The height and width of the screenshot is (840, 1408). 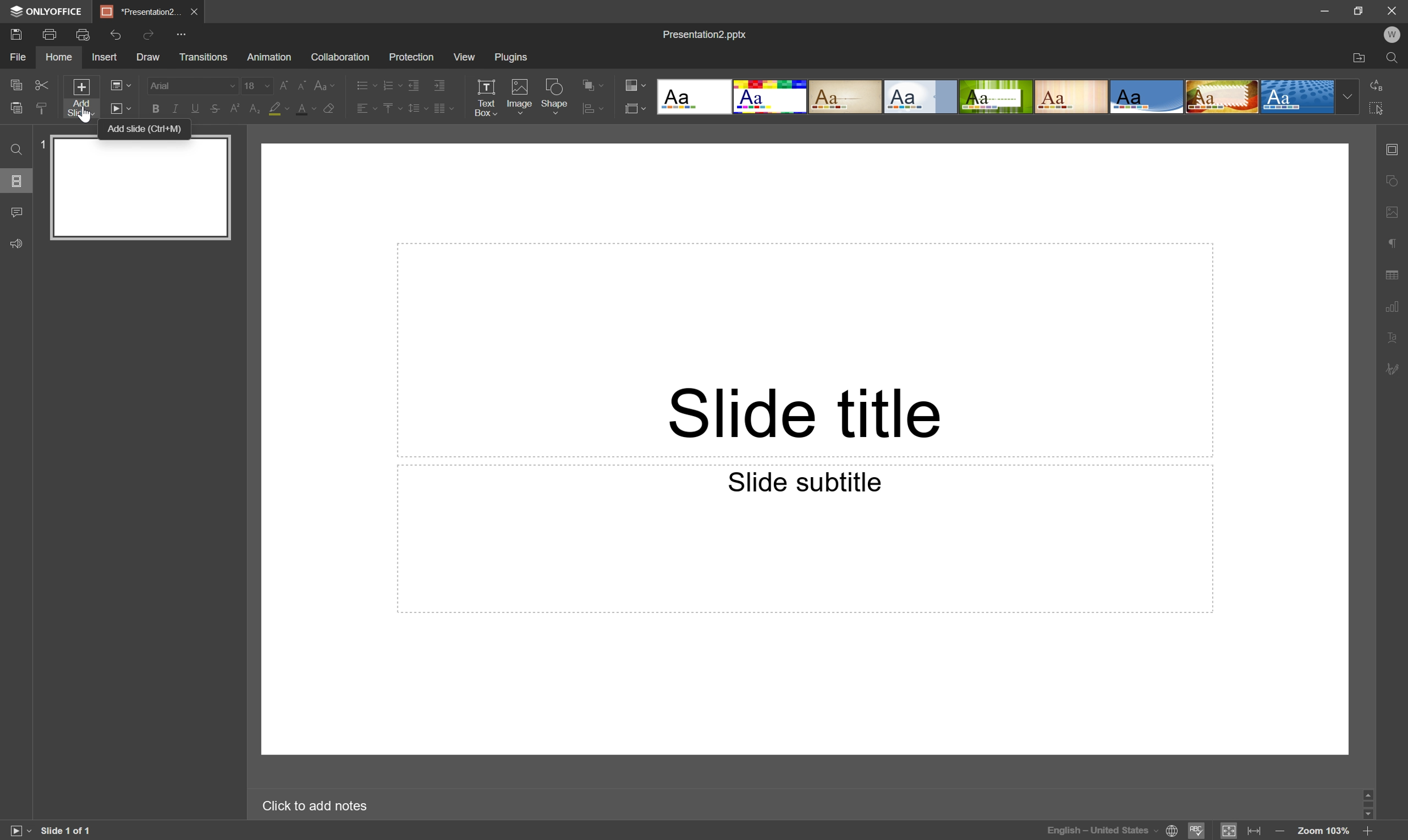 I want to click on Quick print, so click(x=84, y=33).